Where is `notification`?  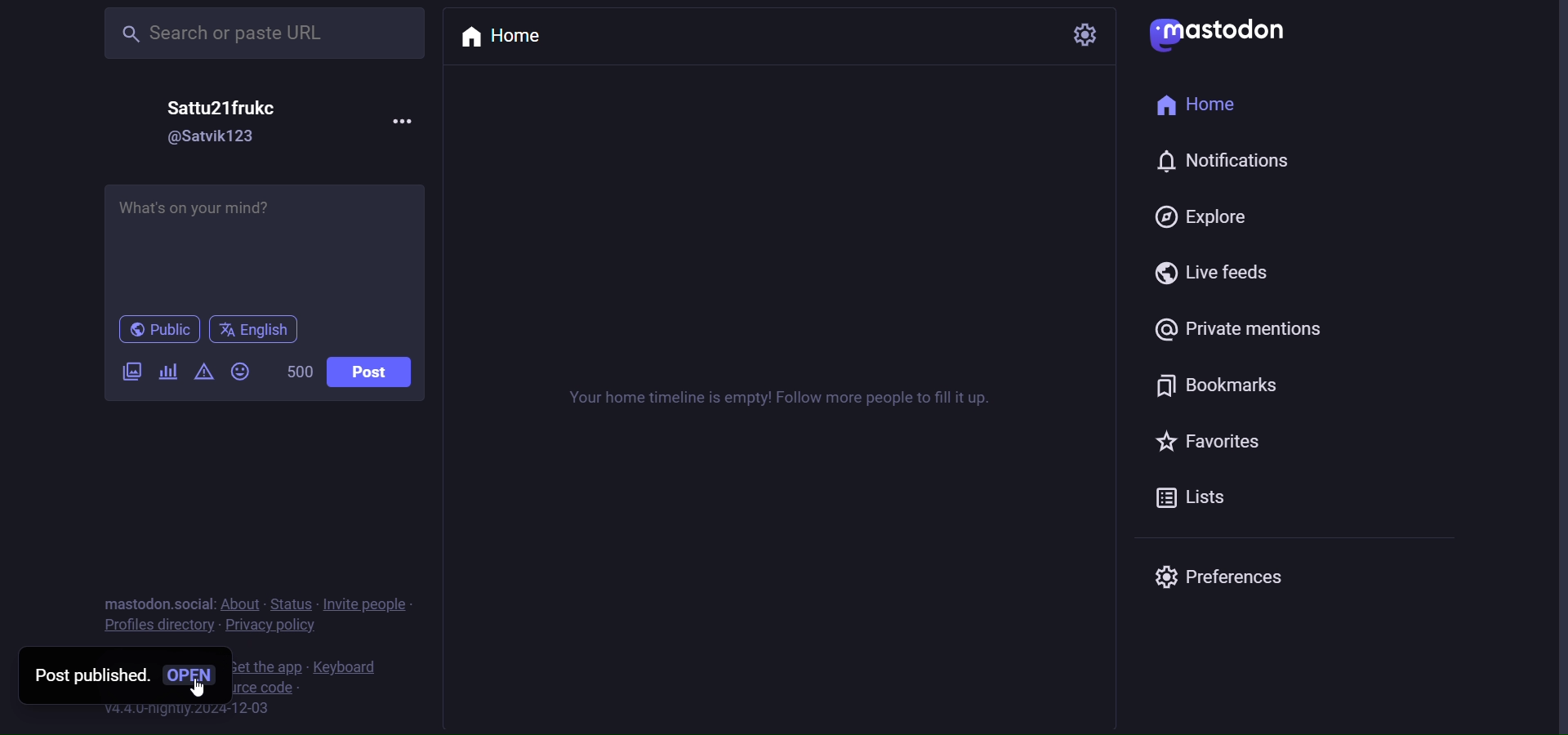 notification is located at coordinates (1223, 163).